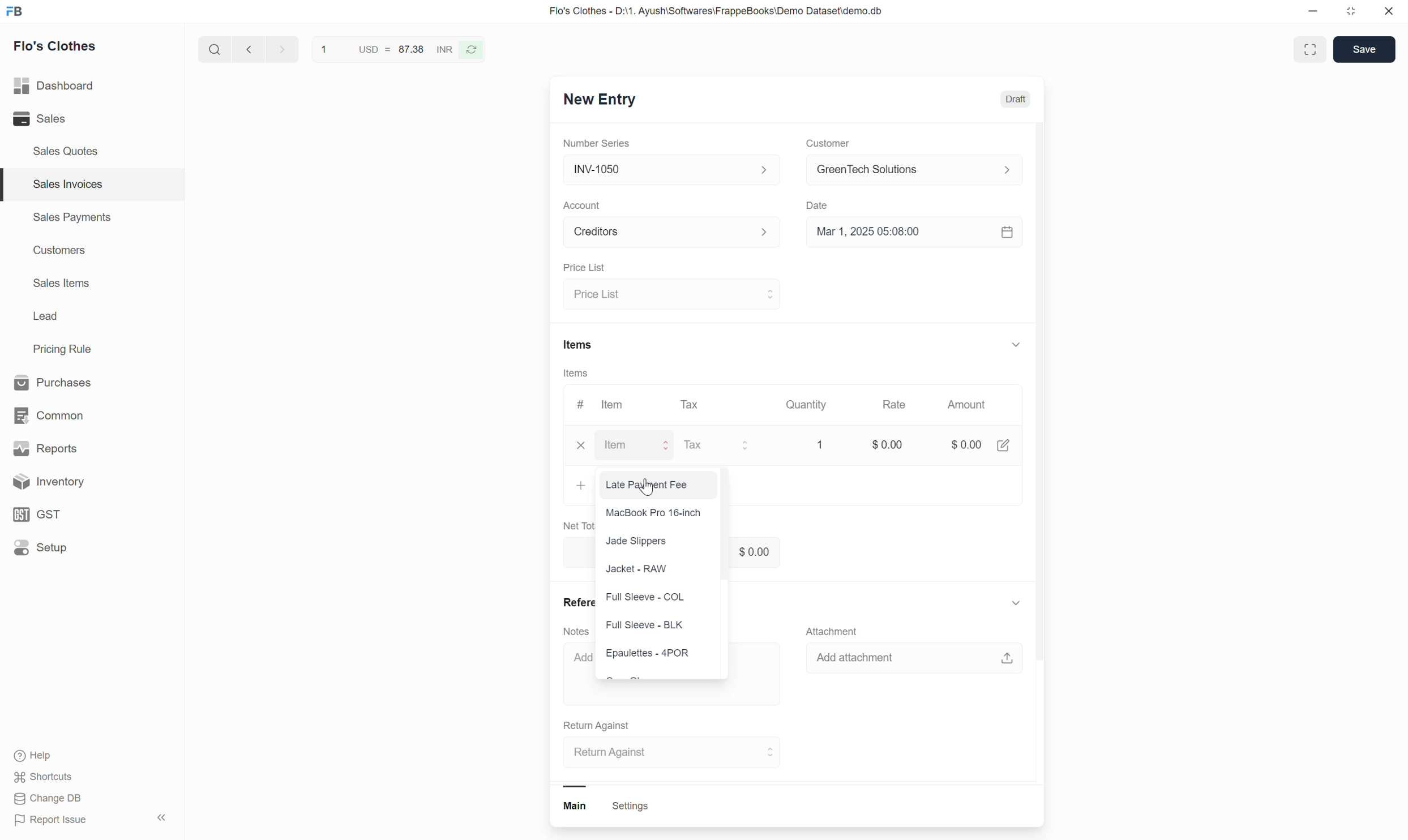 Image resolution: width=1408 pixels, height=840 pixels. I want to click on Account, so click(584, 205).